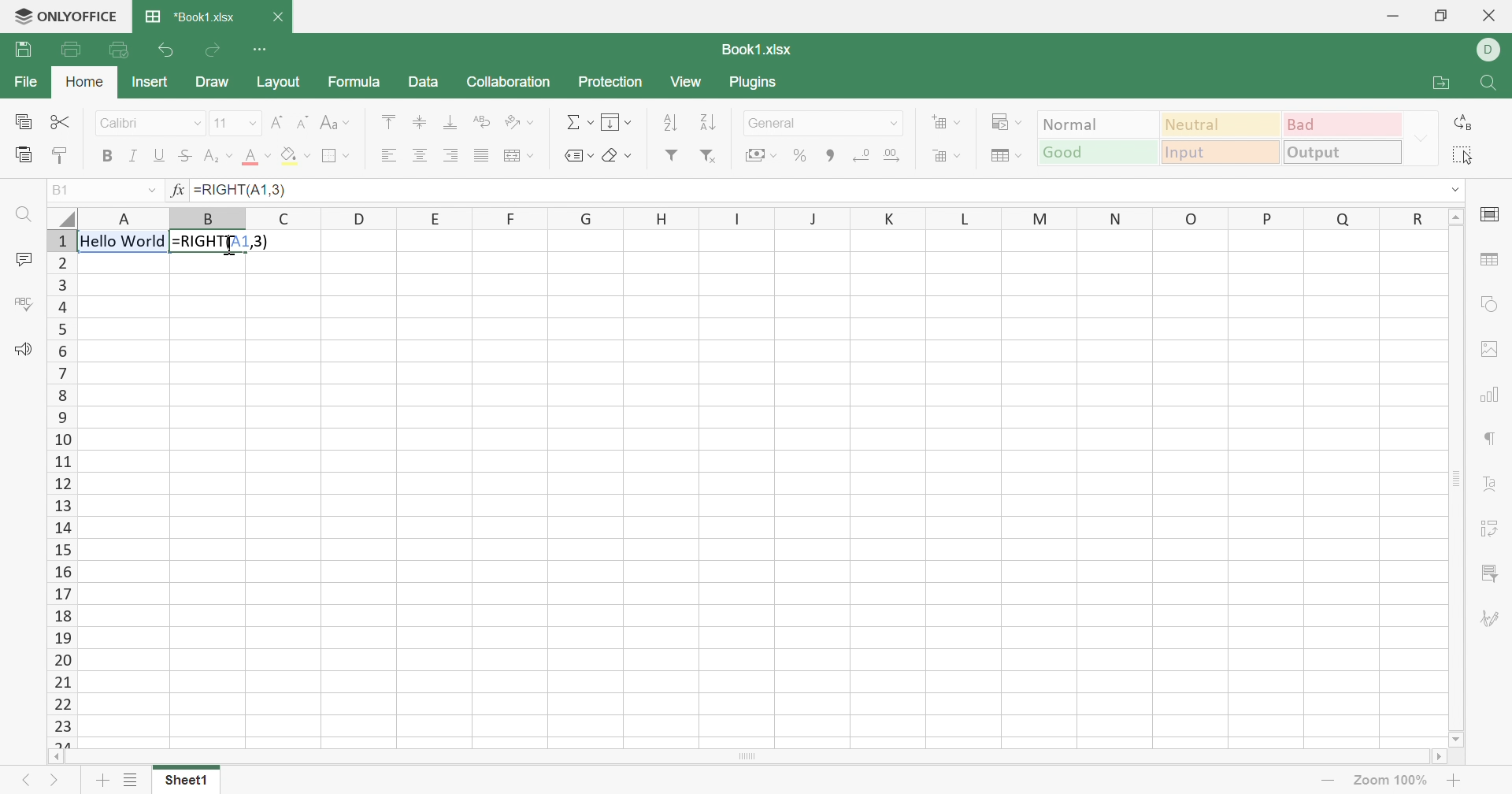 This screenshot has width=1512, height=794. Describe the element at coordinates (241, 189) in the screenshot. I see `=RIGHT(A1,3)` at that location.